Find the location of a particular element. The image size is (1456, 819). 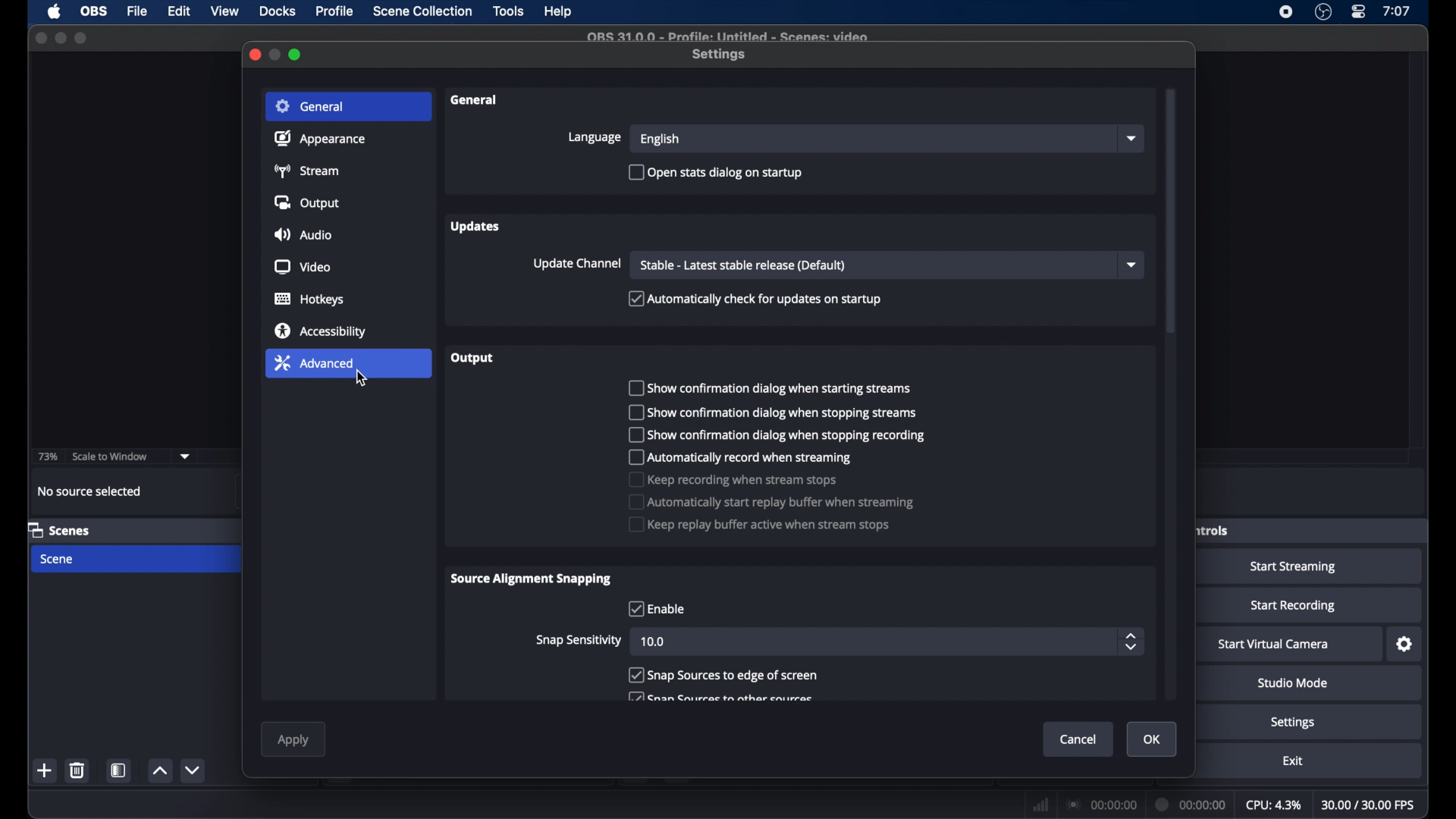

update channel is located at coordinates (576, 263).